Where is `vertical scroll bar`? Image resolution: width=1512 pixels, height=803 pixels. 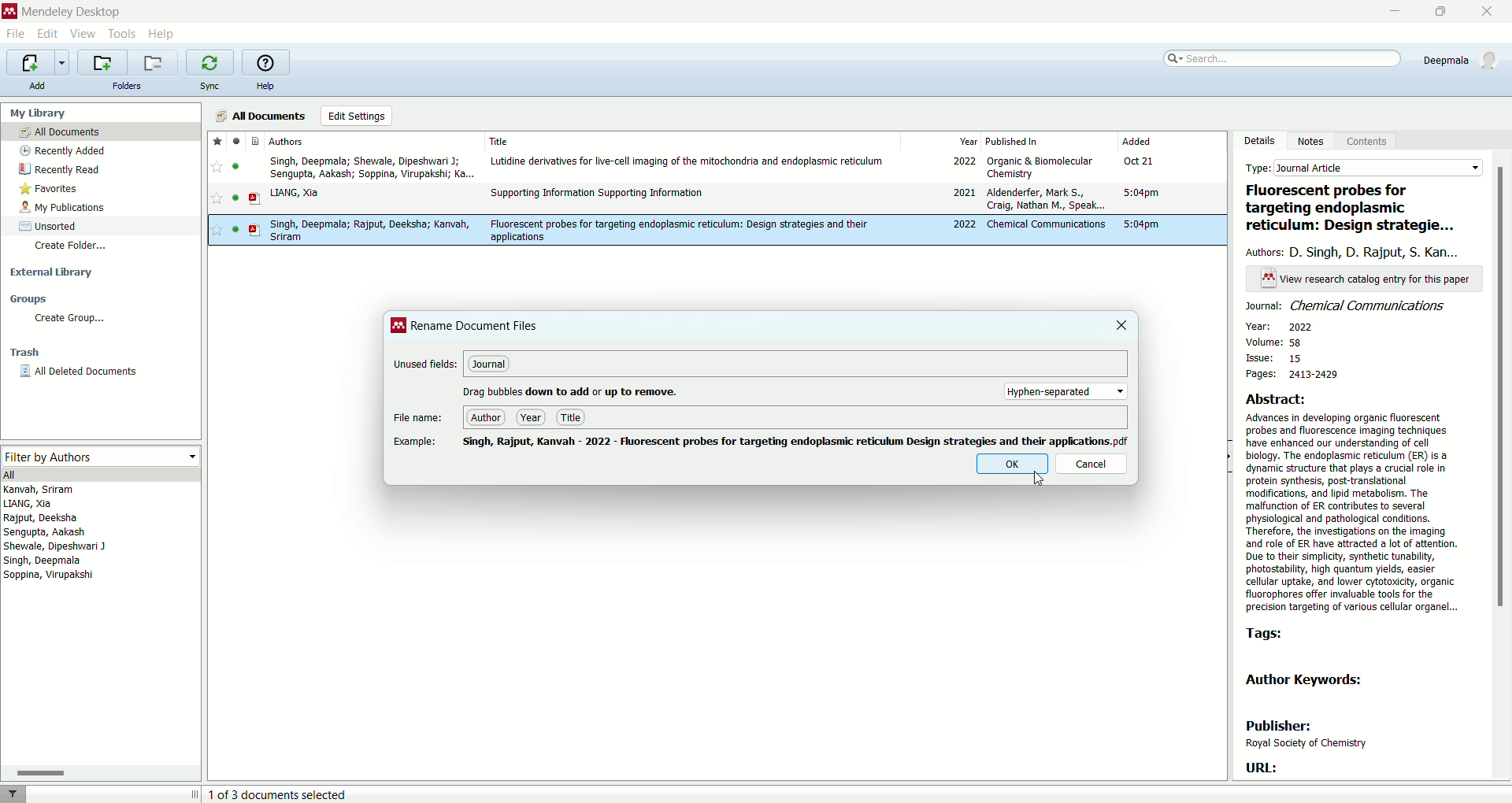 vertical scroll bar is located at coordinates (1503, 465).